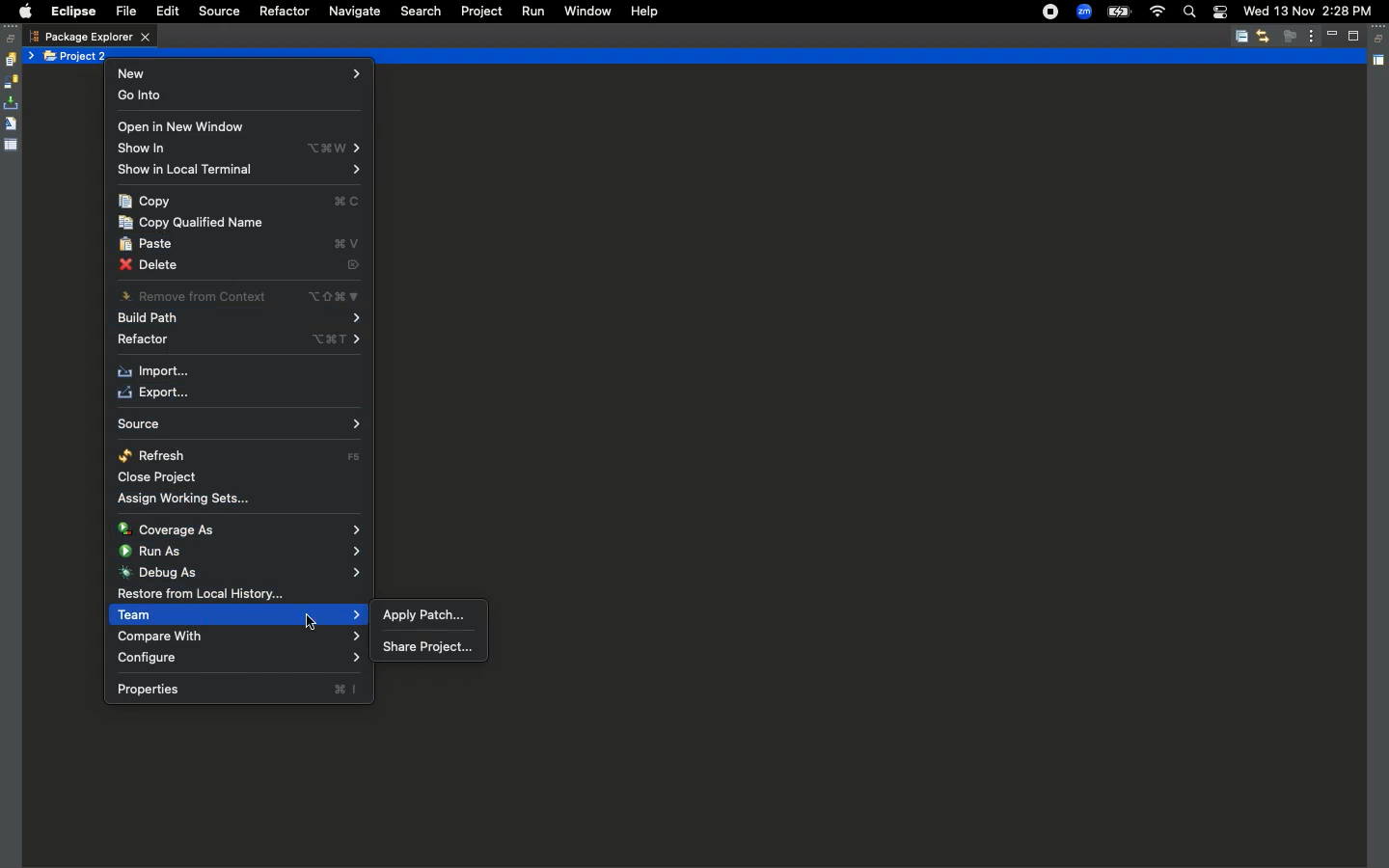  I want to click on Debug as, so click(239, 572).